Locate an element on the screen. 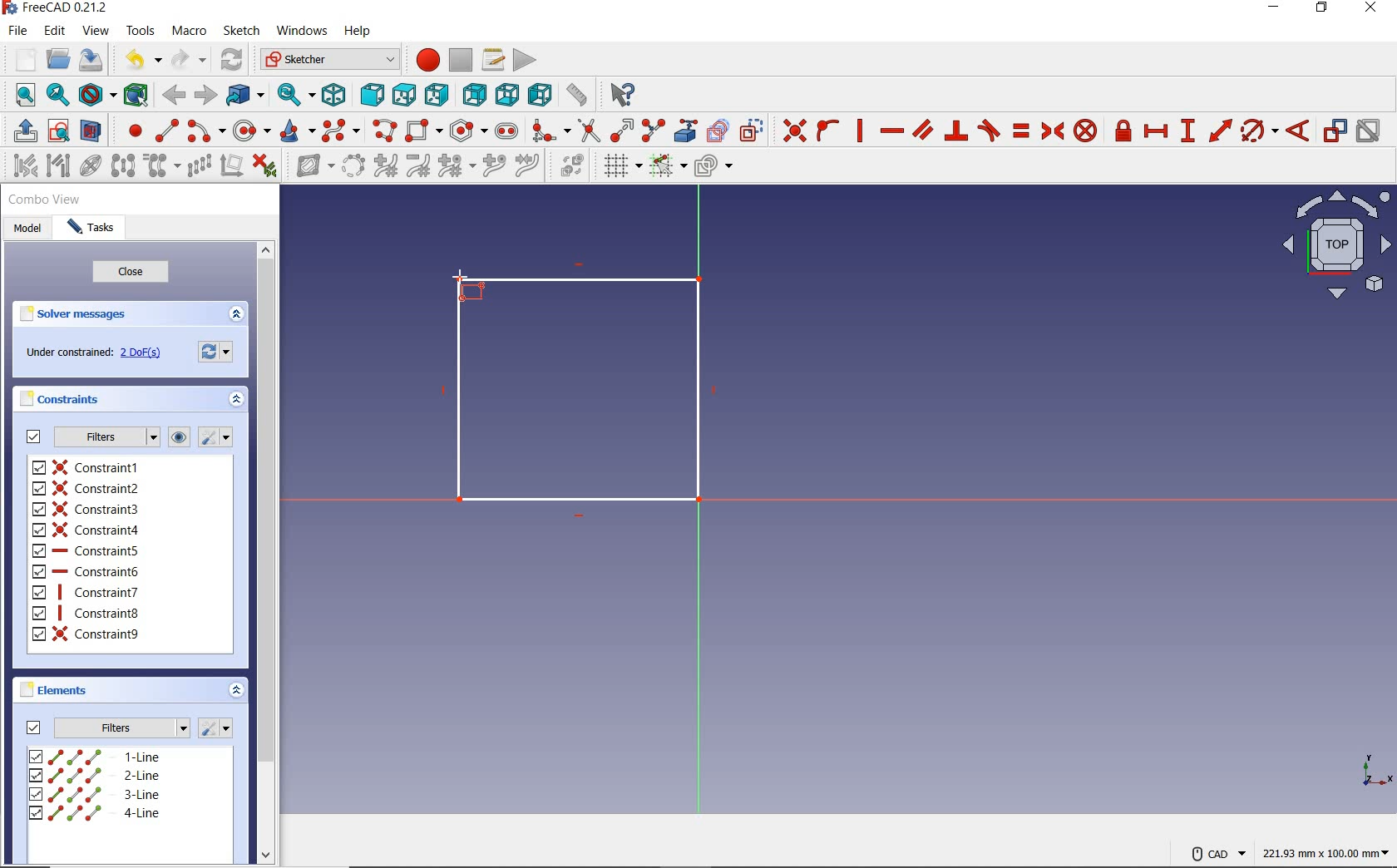 Image resolution: width=1397 pixels, height=868 pixels. 221.93mmx100.00mm is located at coordinates (1325, 853).